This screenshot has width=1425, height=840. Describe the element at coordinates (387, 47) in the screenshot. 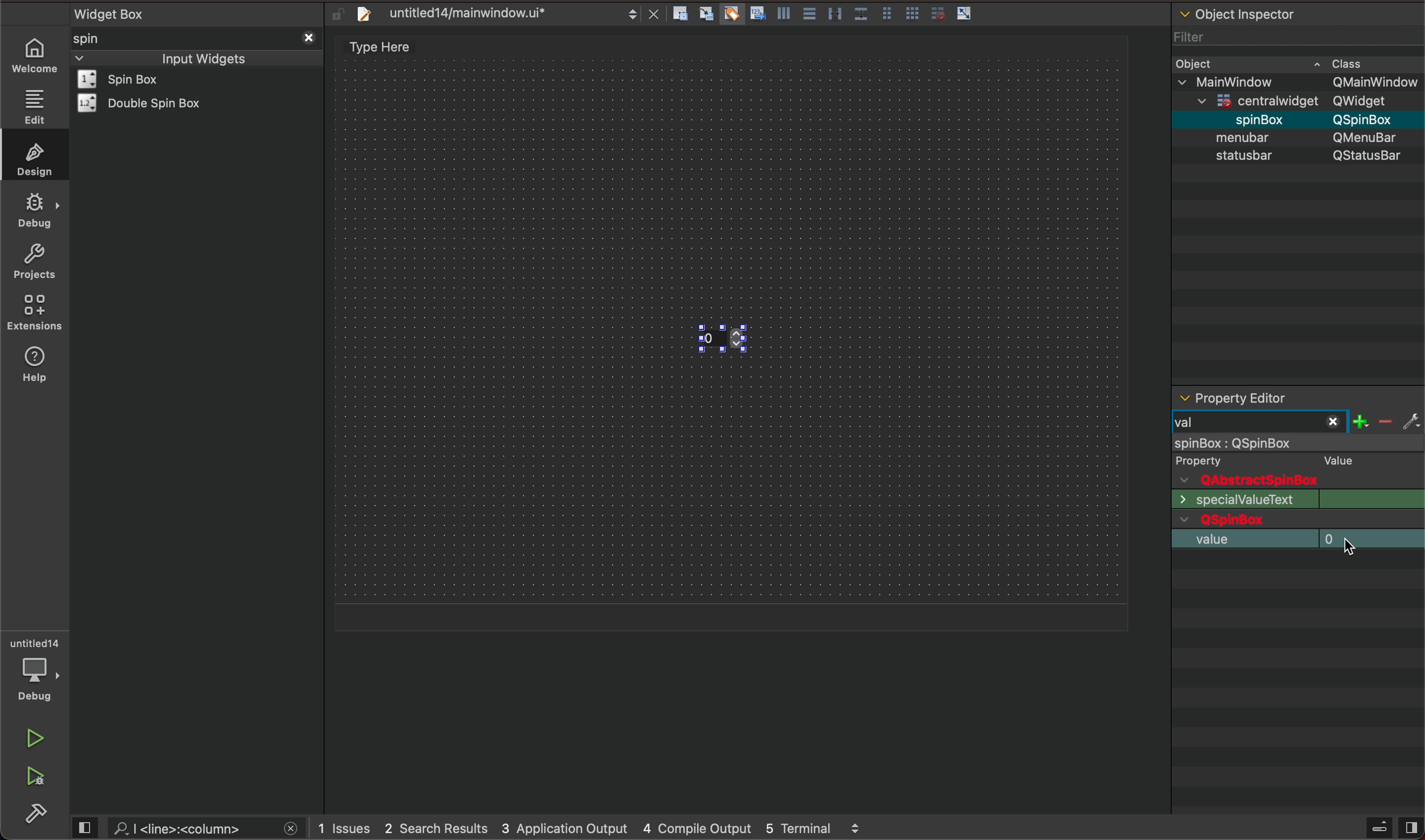

I see `design area` at that location.